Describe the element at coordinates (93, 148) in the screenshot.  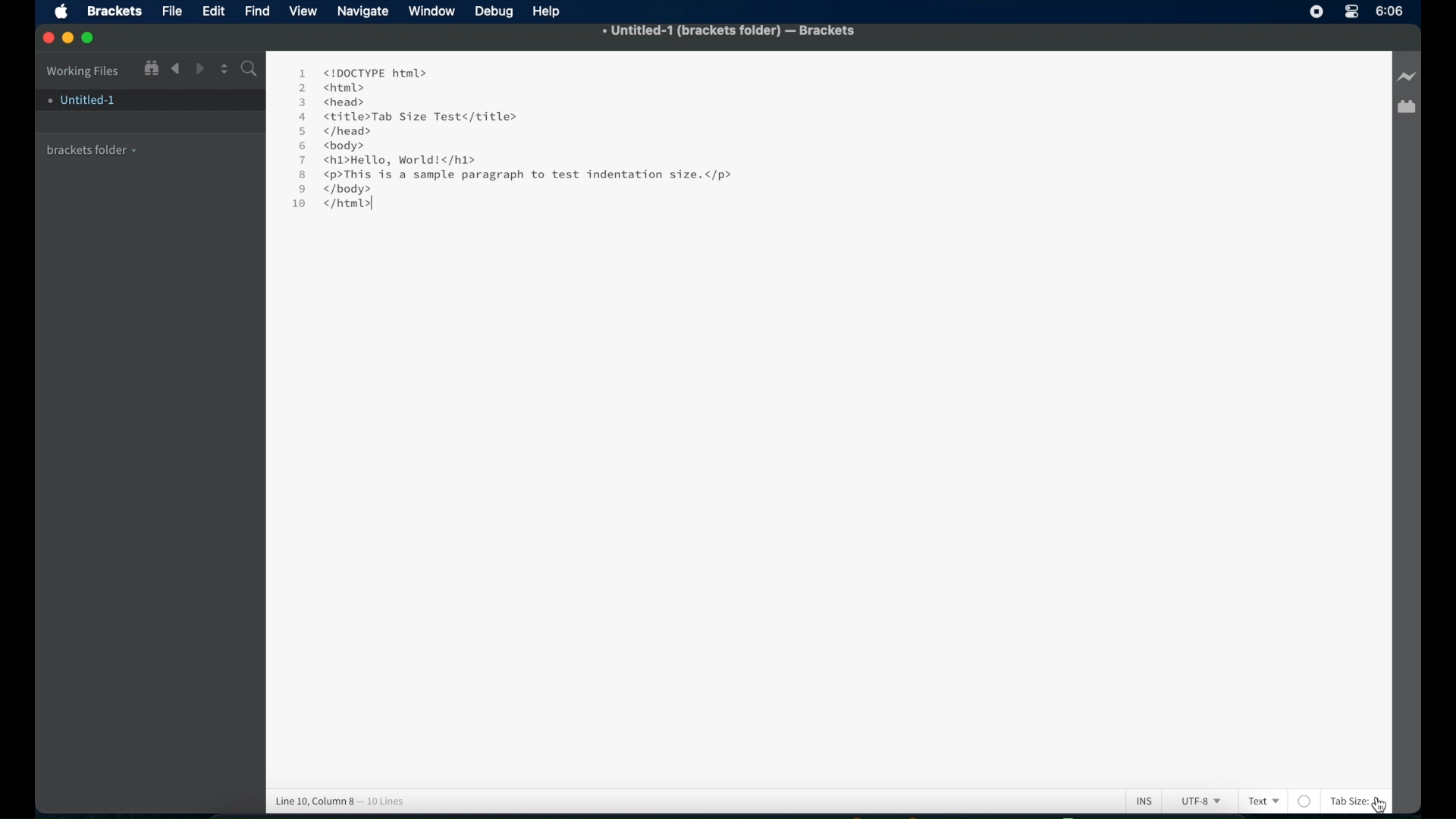
I see `brackets folder` at that location.